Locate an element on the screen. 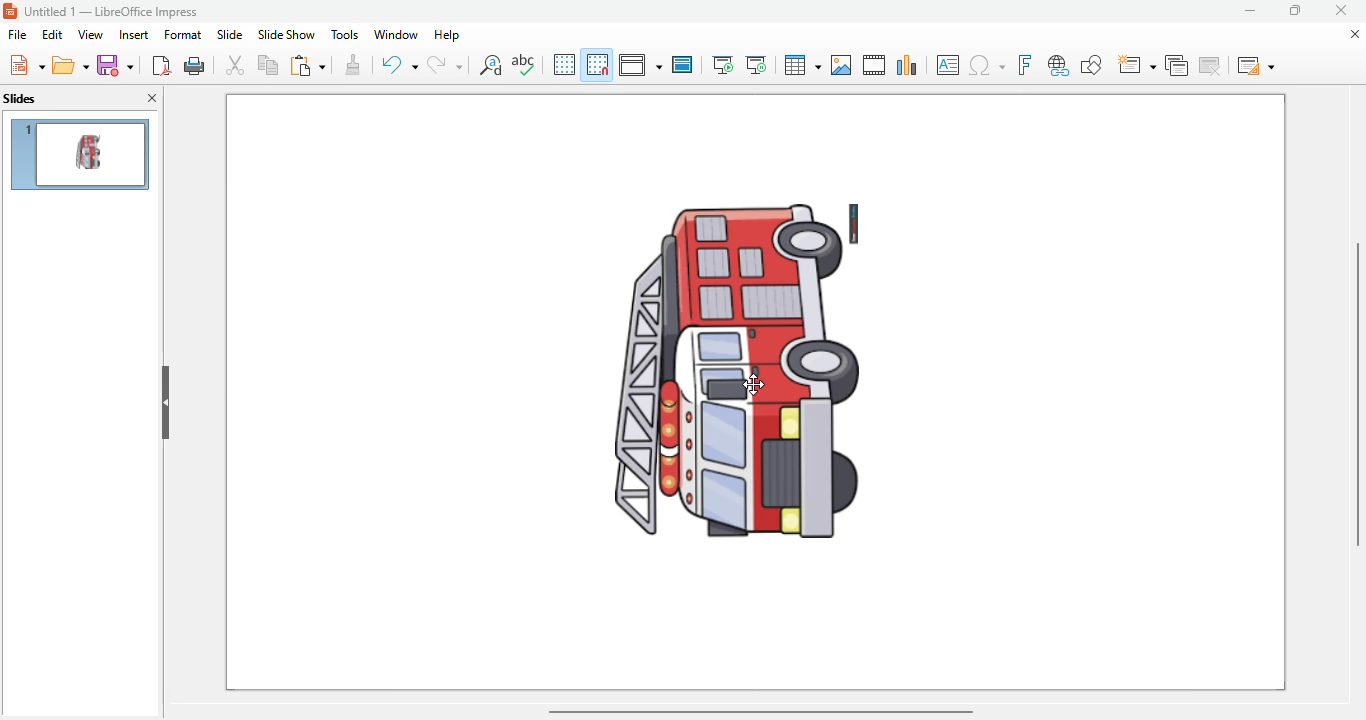 This screenshot has width=1366, height=720. insert image is located at coordinates (841, 65).